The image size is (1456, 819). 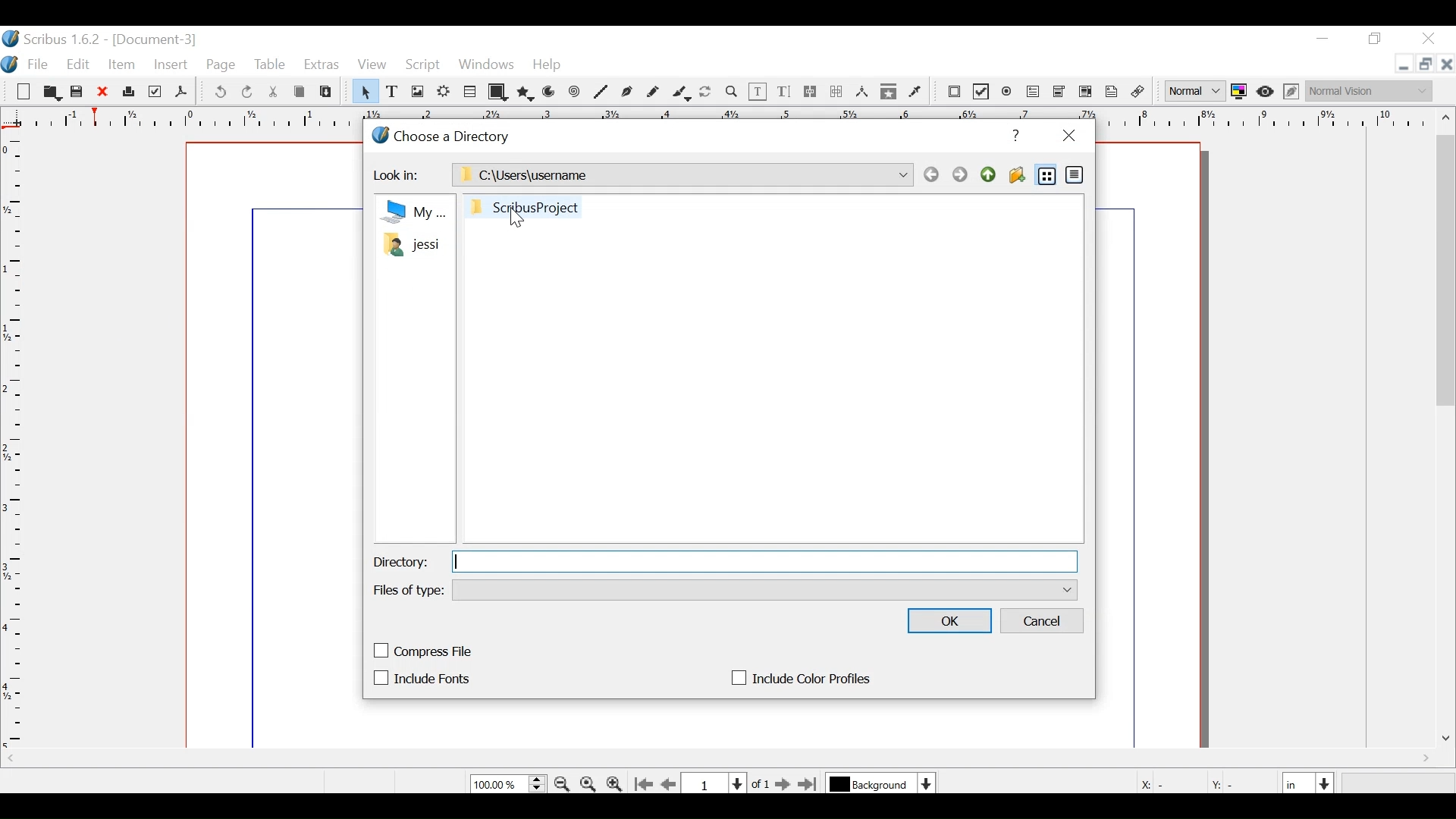 What do you see at coordinates (765, 590) in the screenshot?
I see `Files of type dropdown menu` at bounding box center [765, 590].